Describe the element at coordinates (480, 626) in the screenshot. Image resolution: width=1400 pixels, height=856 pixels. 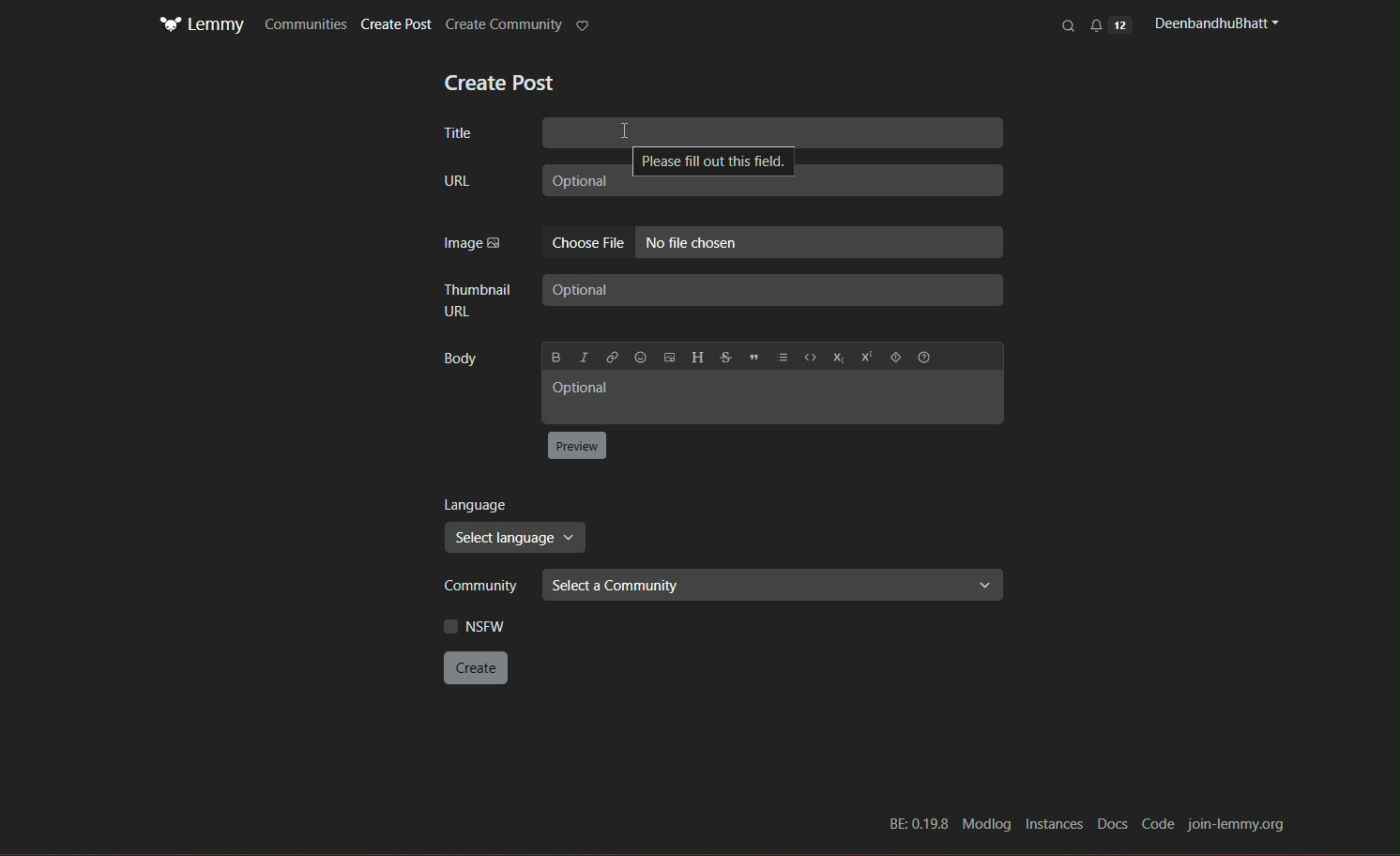
I see `NSFW` at that location.